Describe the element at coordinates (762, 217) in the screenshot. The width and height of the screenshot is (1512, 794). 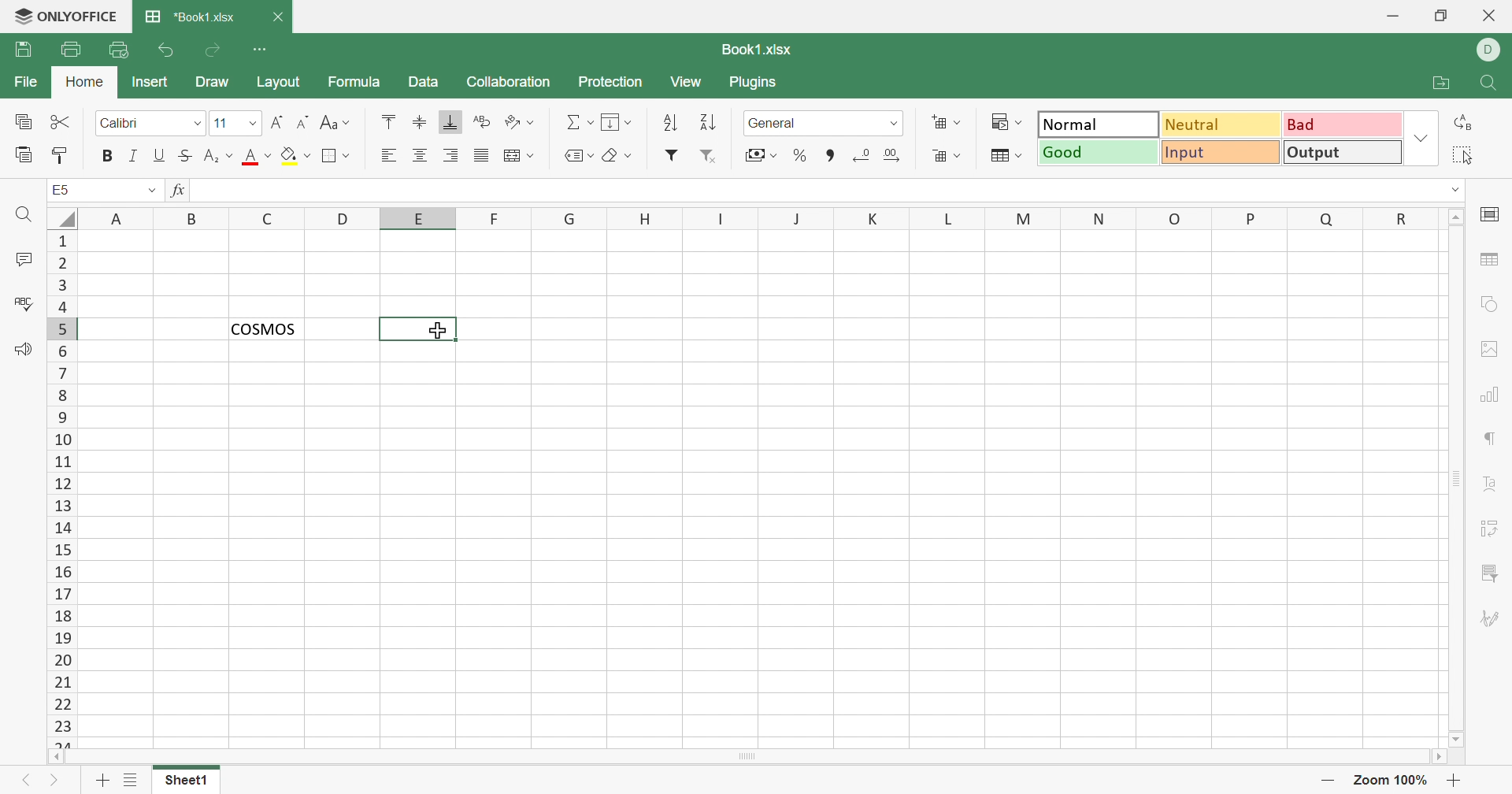
I see `Column Names` at that location.